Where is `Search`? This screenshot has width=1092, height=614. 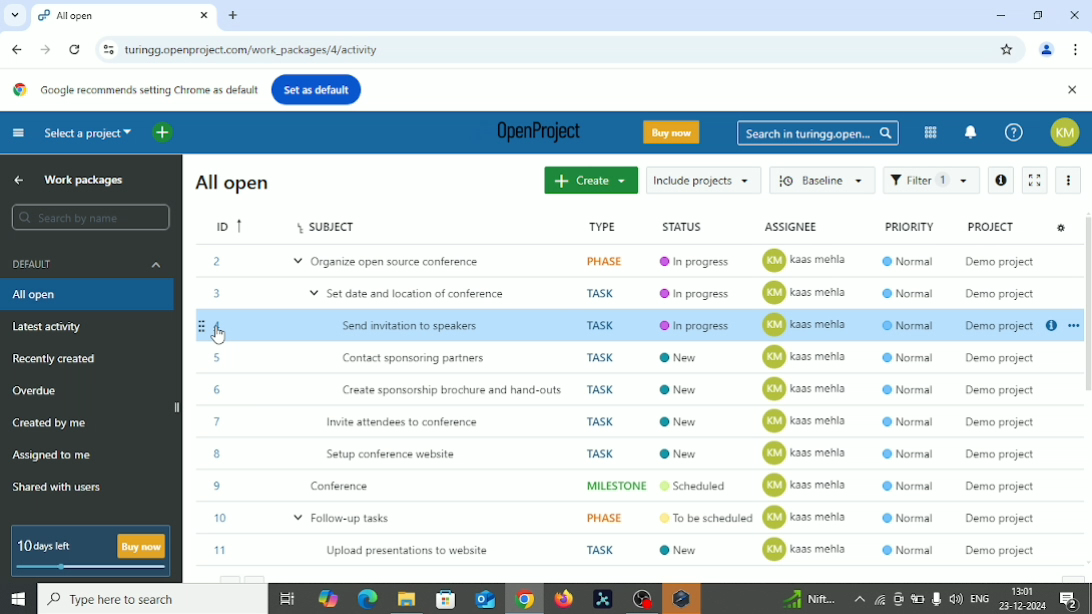 Search is located at coordinates (818, 134).